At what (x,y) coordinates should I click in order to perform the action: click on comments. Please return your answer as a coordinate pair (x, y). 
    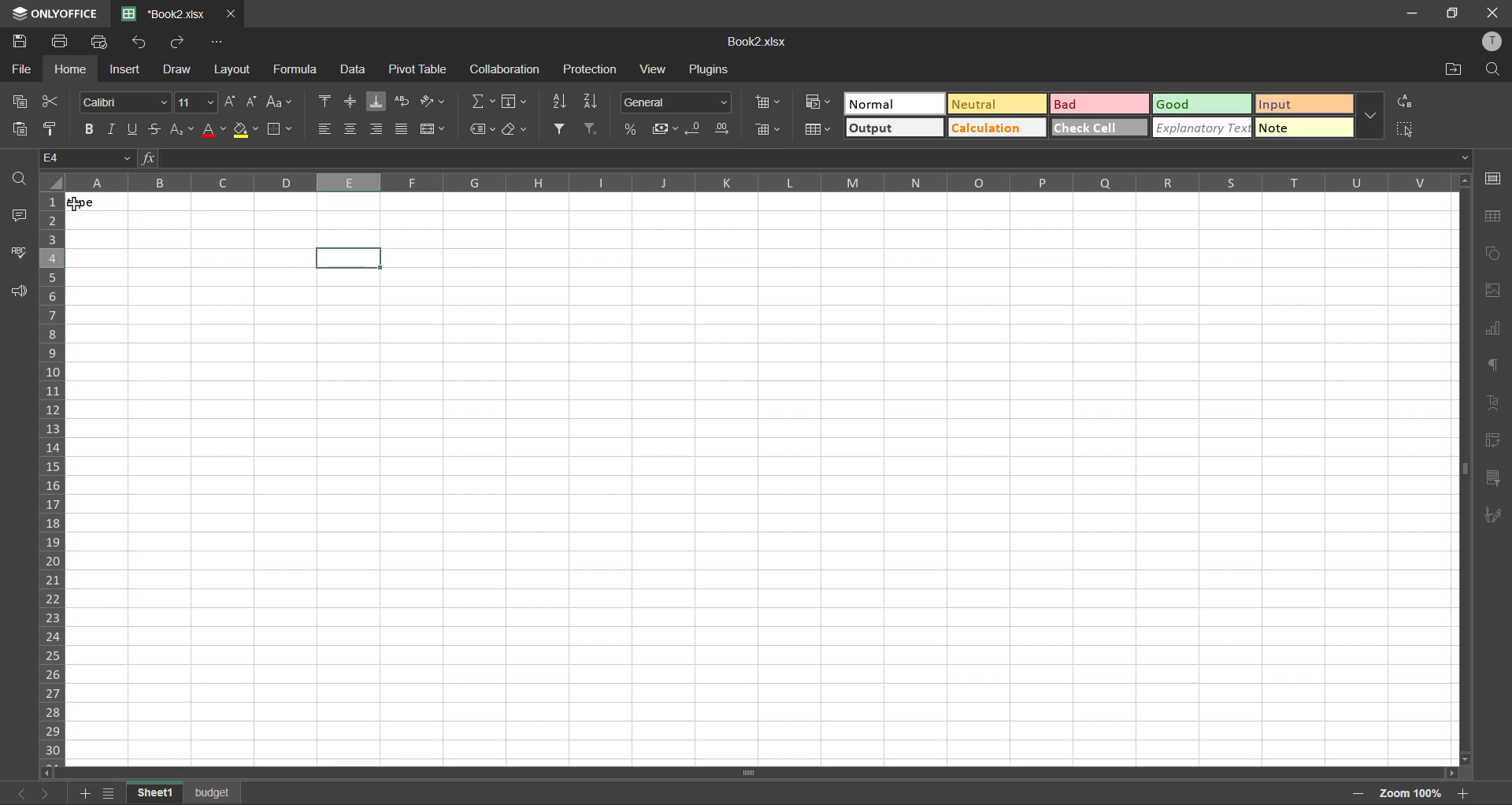
    Looking at the image, I should click on (18, 216).